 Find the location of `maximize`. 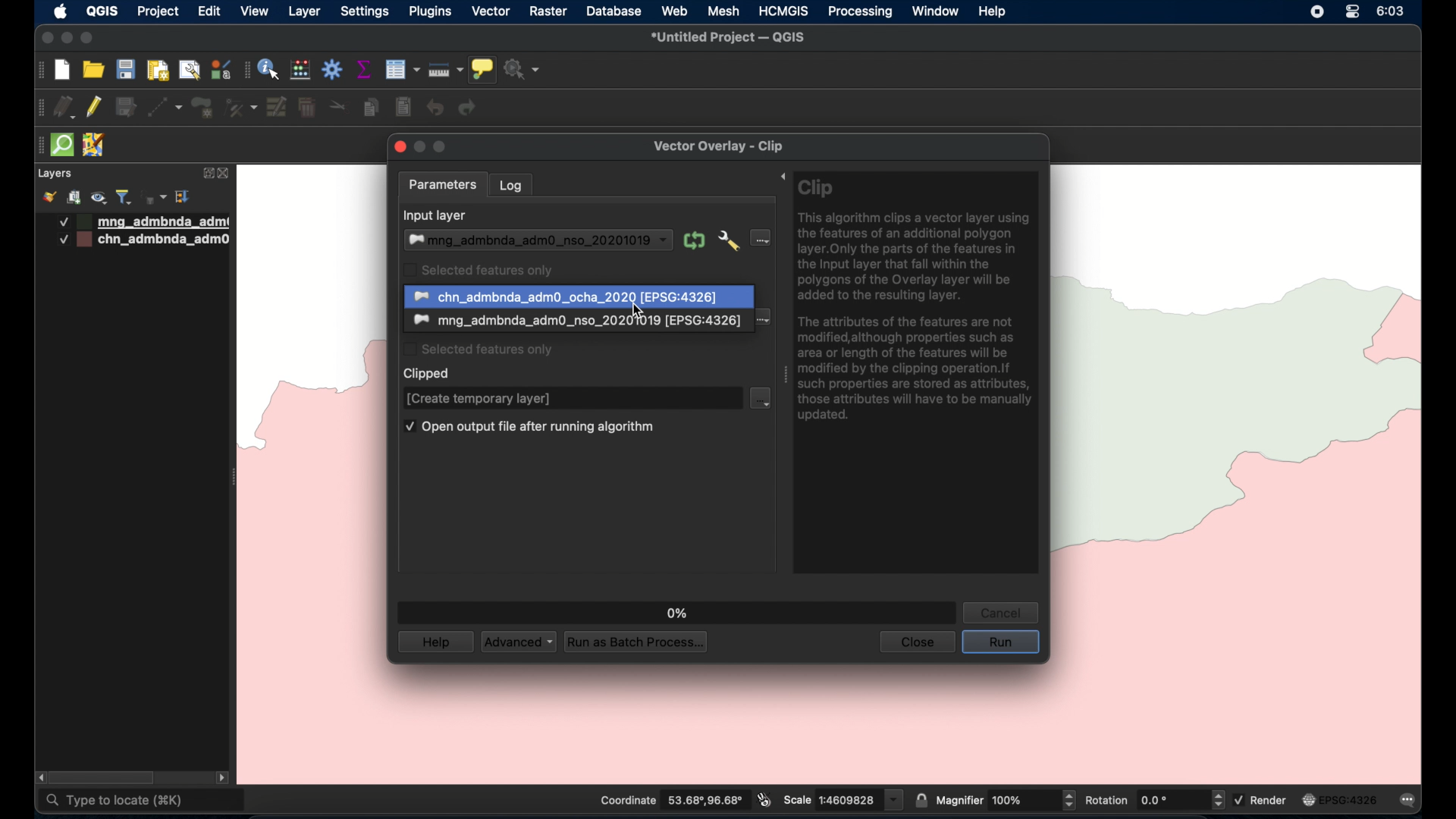

maximize is located at coordinates (86, 39).